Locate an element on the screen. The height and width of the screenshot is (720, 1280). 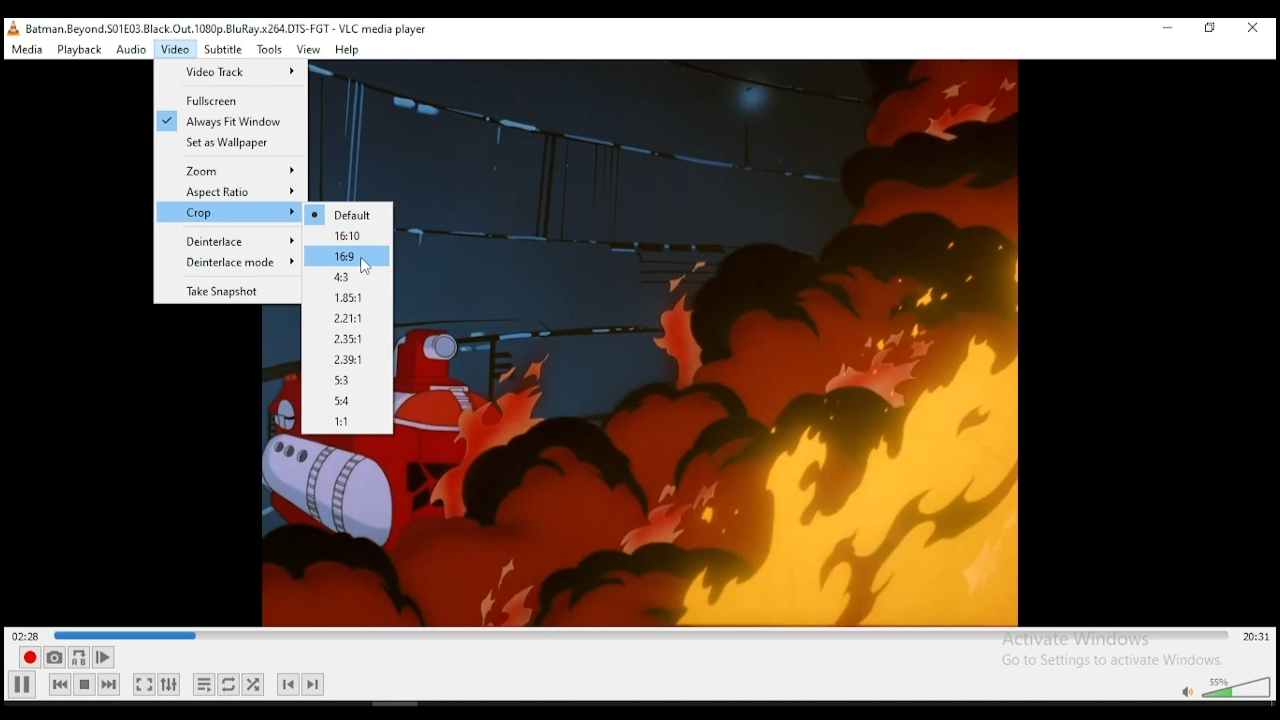
Video Track is located at coordinates (229, 72).